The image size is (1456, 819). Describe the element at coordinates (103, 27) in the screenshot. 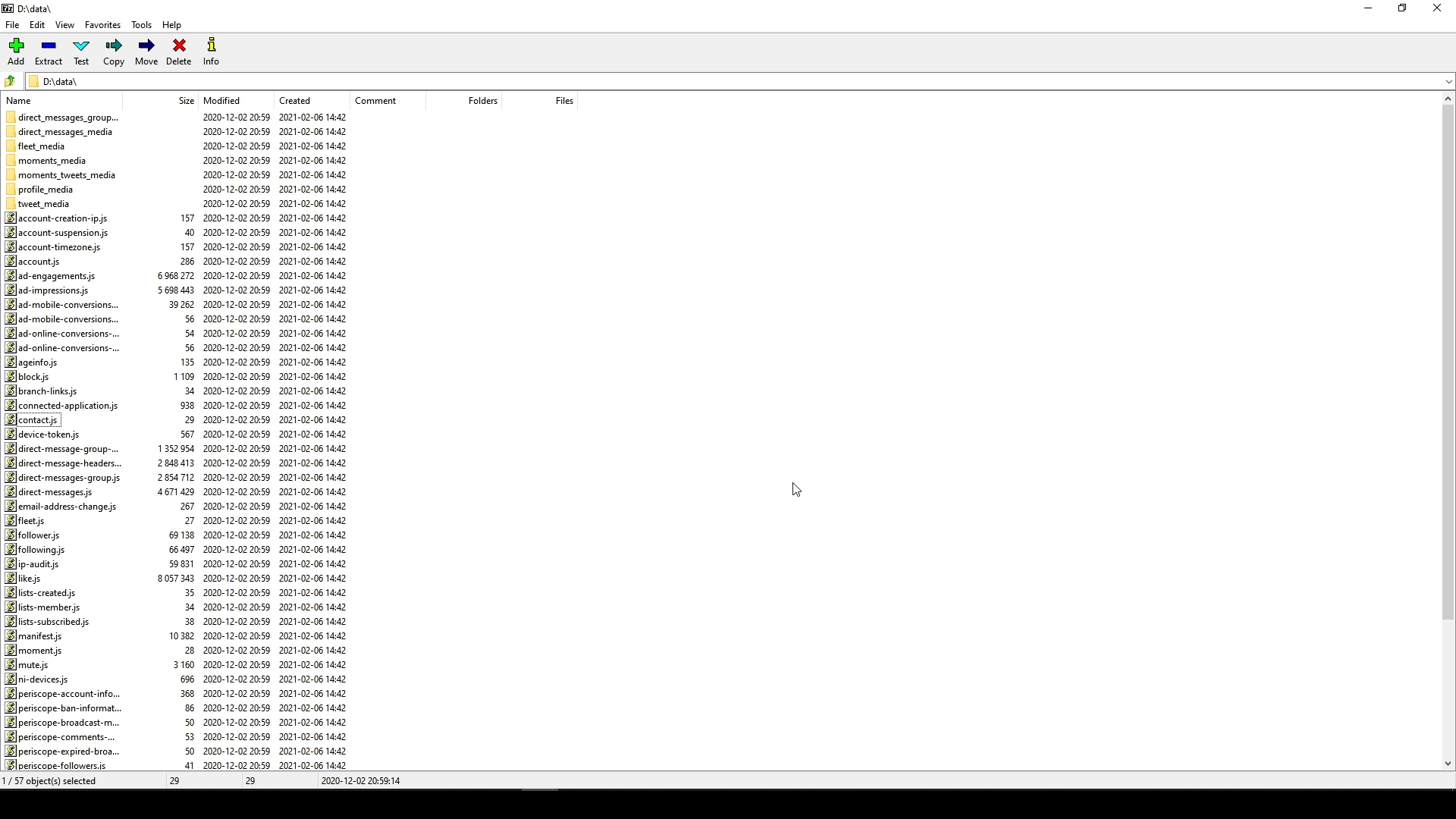

I see `Favorites` at that location.